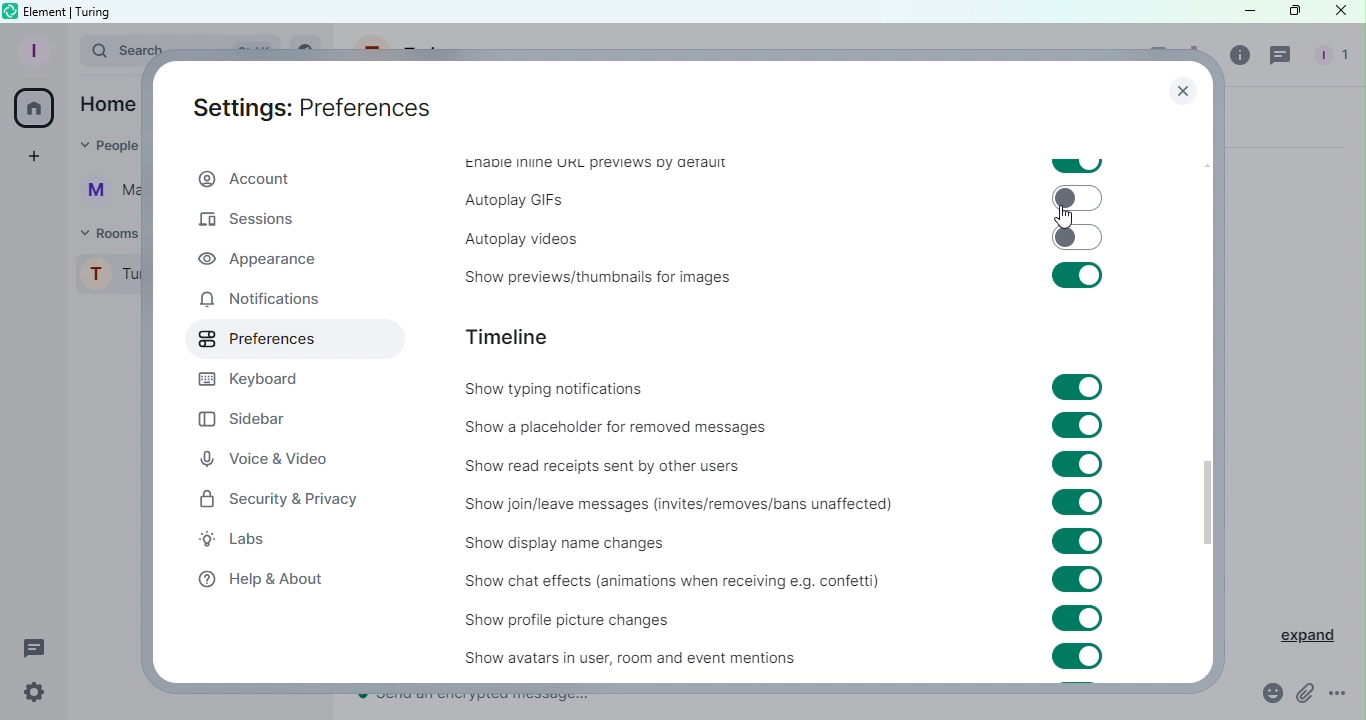 This screenshot has height=720, width=1366. Describe the element at coordinates (9, 11) in the screenshot. I see `Element icon` at that location.